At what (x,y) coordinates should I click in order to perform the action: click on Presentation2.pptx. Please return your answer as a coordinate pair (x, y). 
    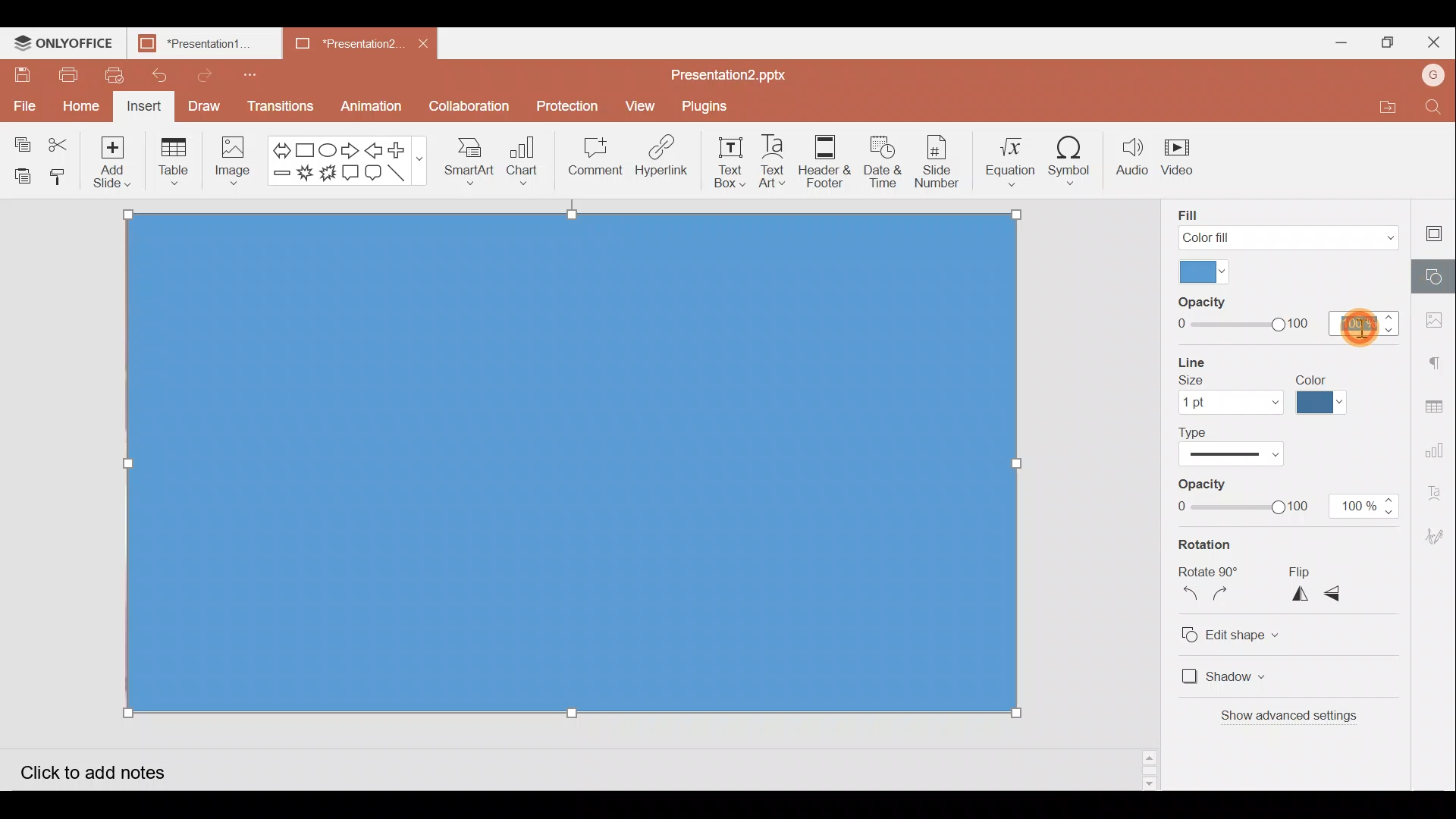
    Looking at the image, I should click on (740, 72).